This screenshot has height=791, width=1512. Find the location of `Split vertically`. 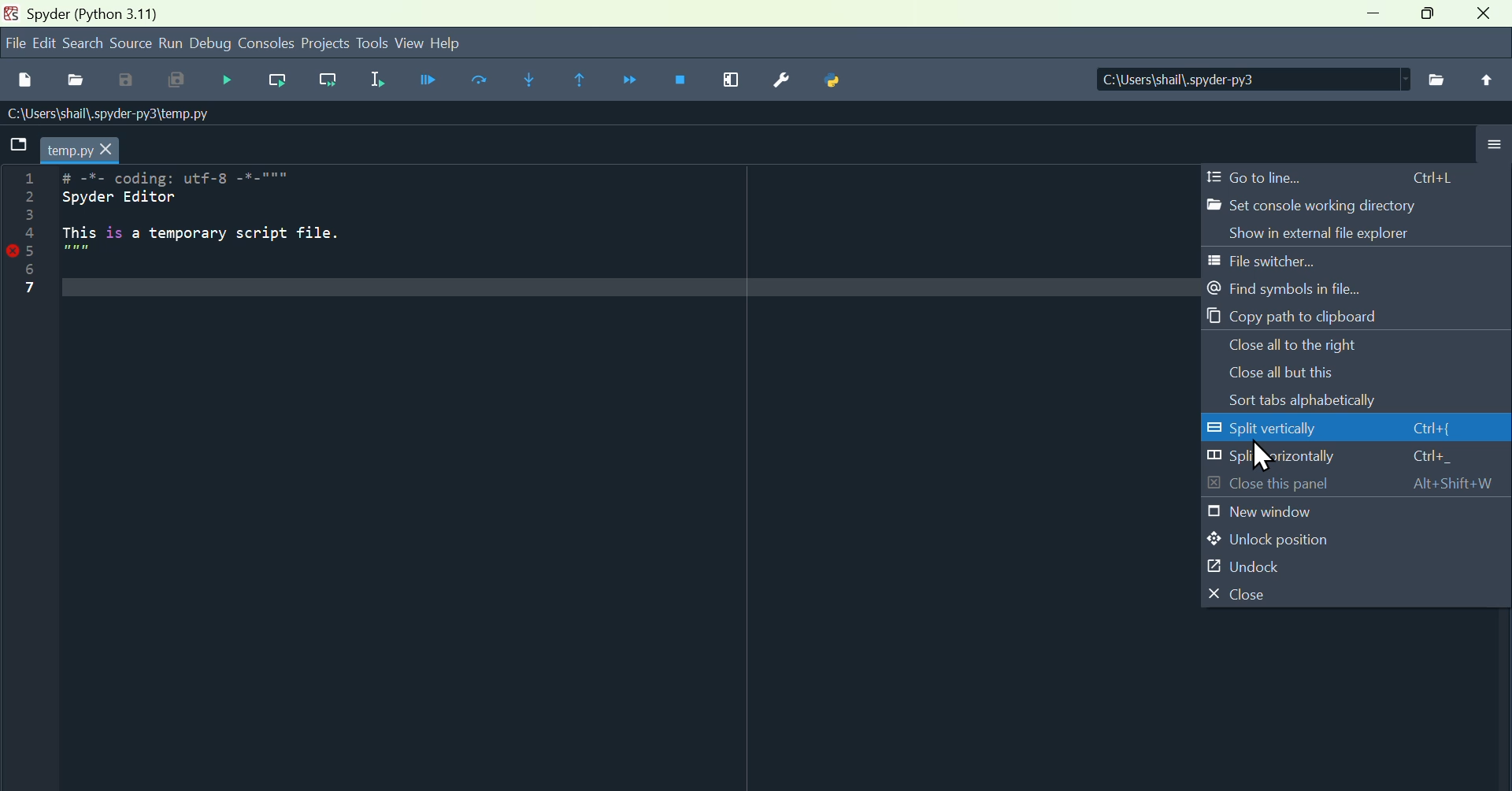

Split vertically is located at coordinates (1350, 431).